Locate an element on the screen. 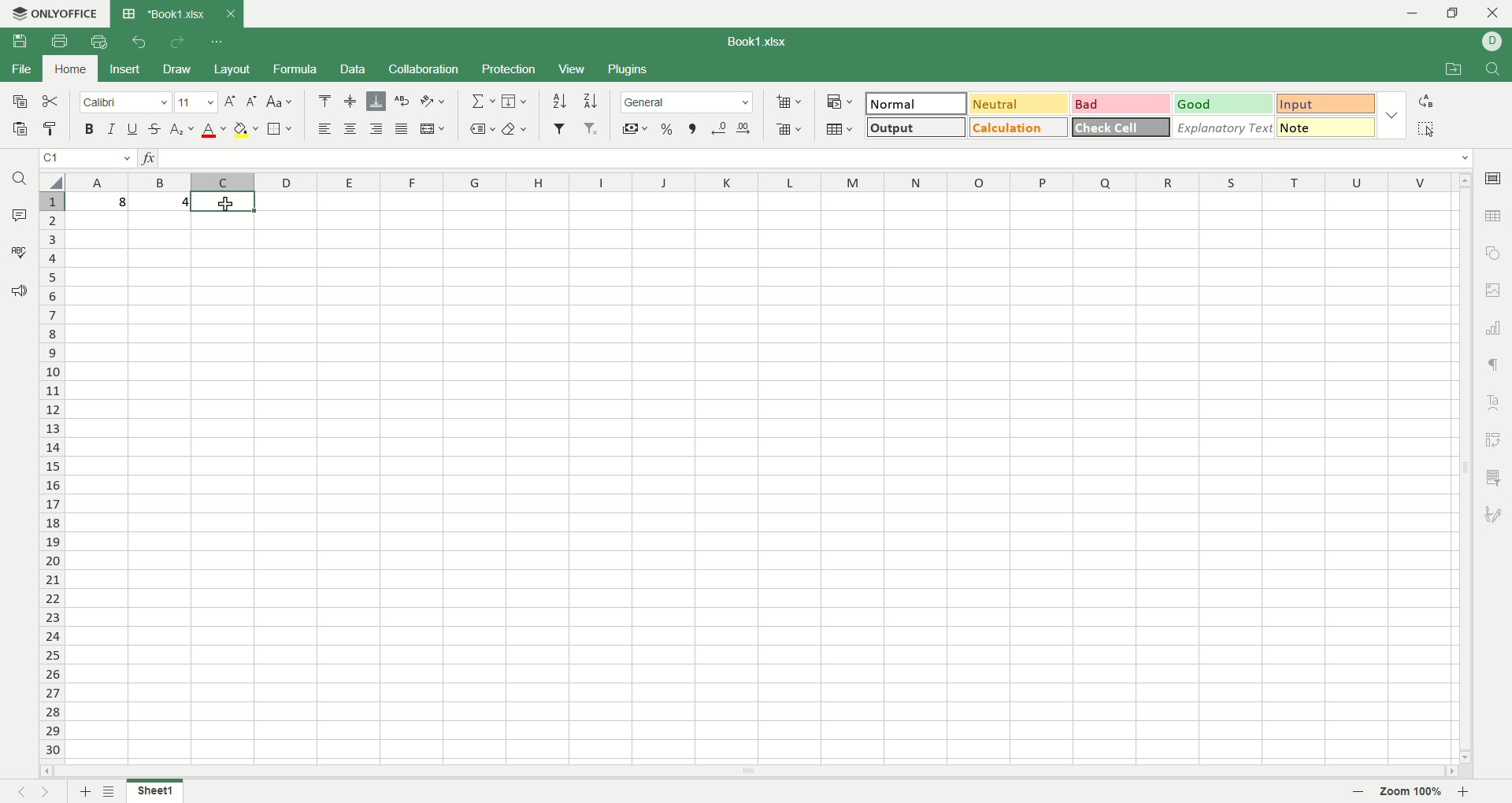 The image size is (1512, 803). comma format is located at coordinates (693, 129).